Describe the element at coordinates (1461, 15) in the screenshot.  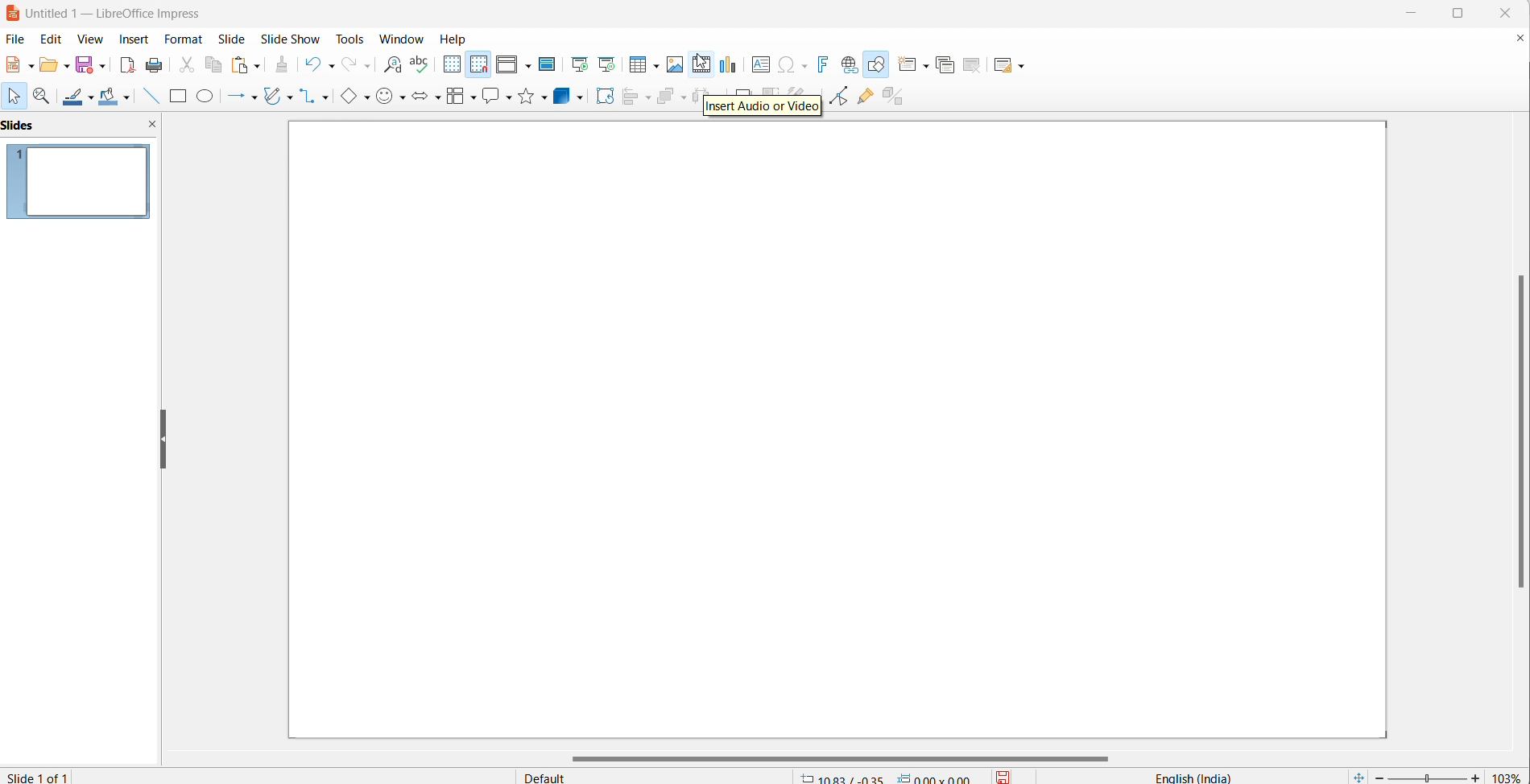
I see `maximize` at that location.